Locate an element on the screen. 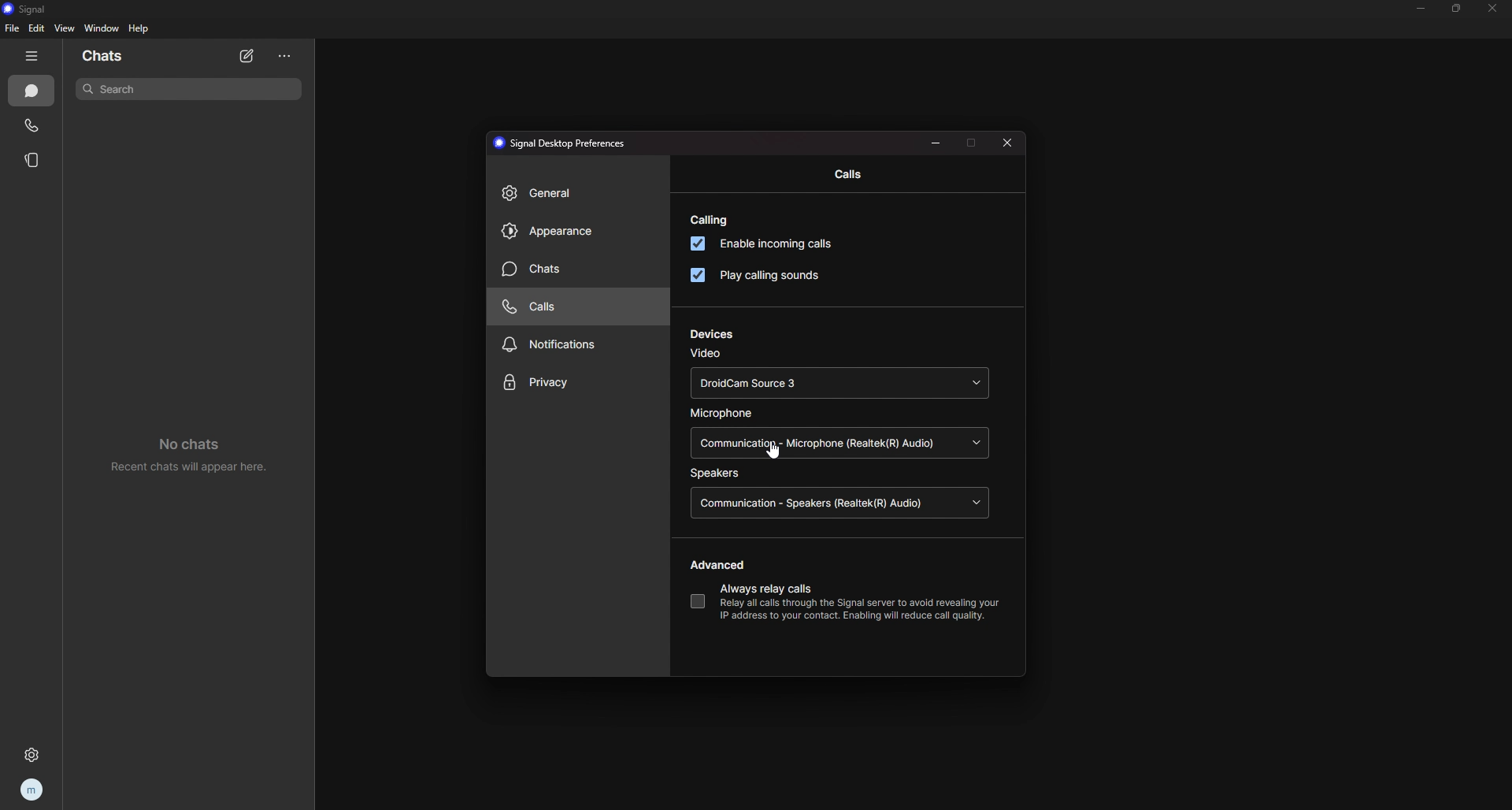 The height and width of the screenshot is (810, 1512). help is located at coordinates (140, 28).